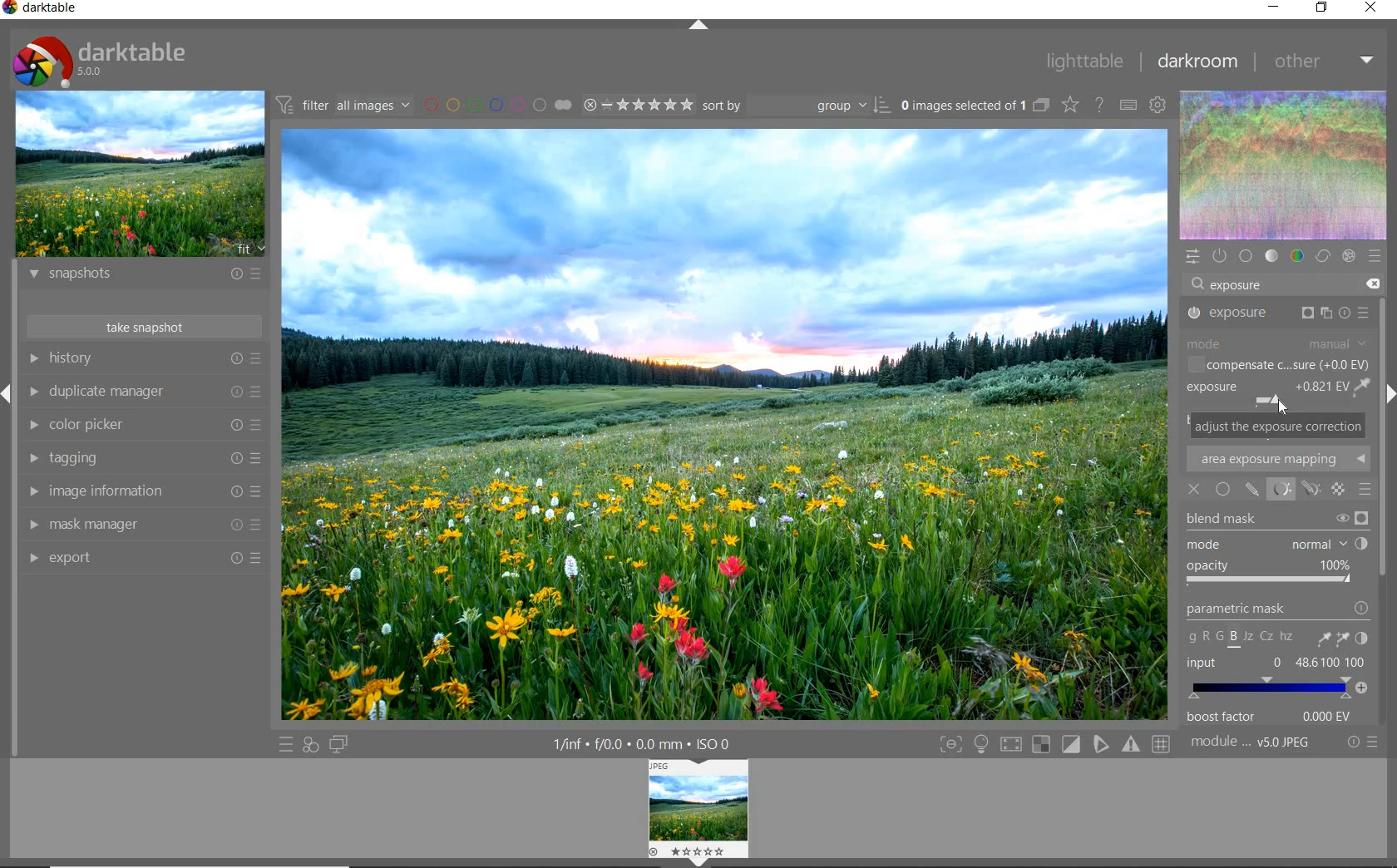 This screenshot has width=1397, height=868. Describe the element at coordinates (797, 106) in the screenshot. I see `sort` at that location.